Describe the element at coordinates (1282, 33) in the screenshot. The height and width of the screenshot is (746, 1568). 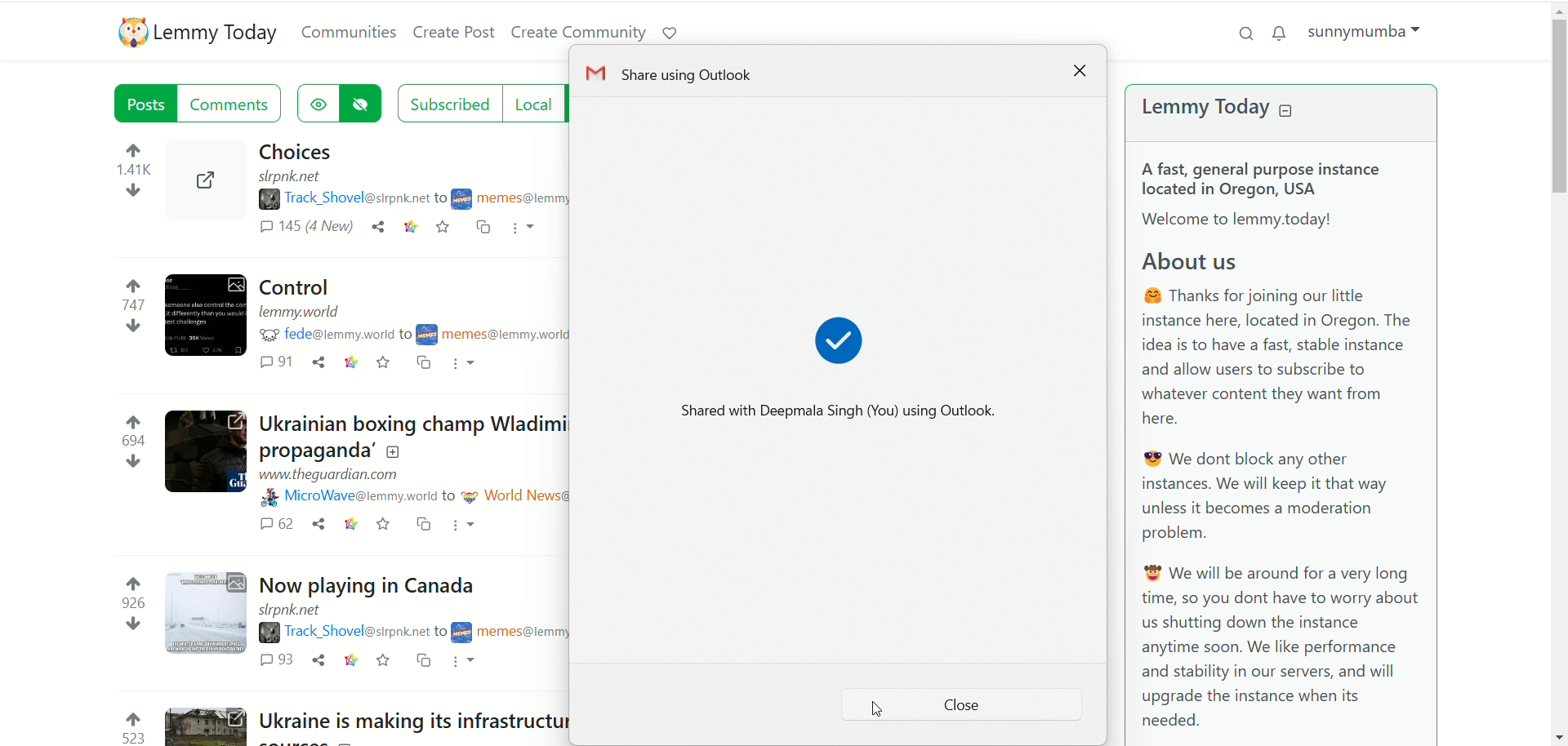
I see `notification` at that location.